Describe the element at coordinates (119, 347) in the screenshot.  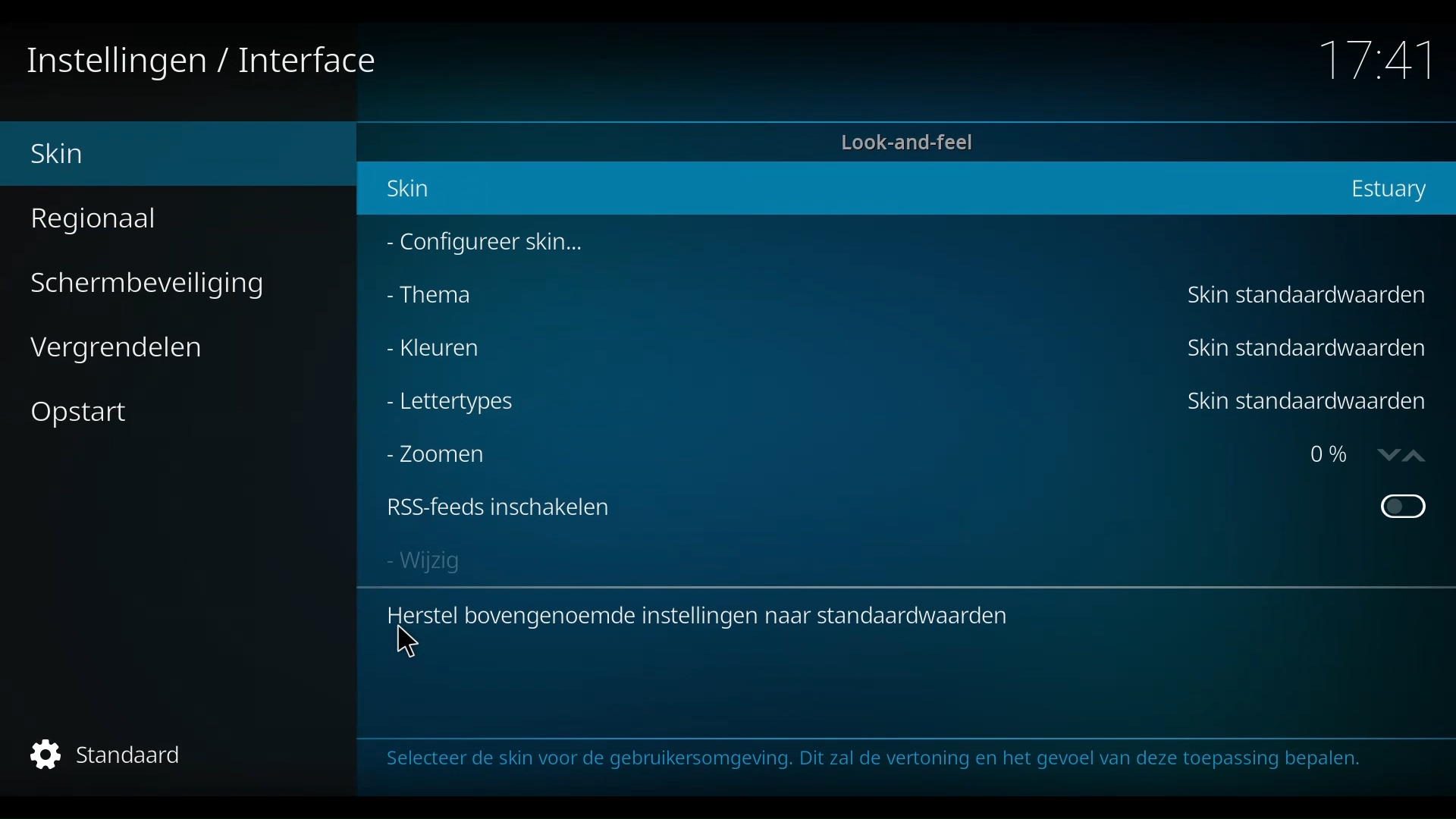
I see `Vergrendelen` at that location.